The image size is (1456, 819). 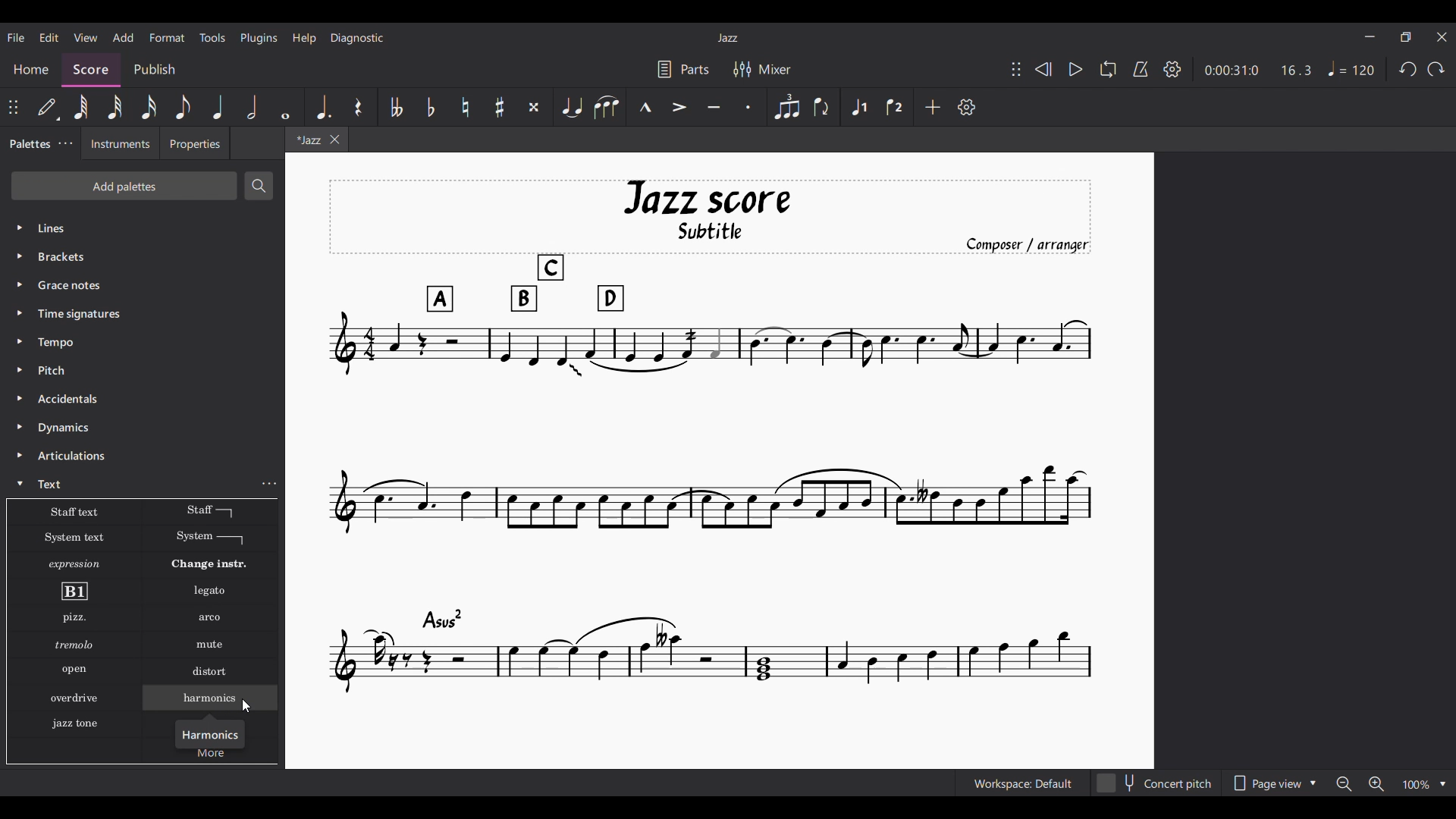 I want to click on Test, so click(x=54, y=484).